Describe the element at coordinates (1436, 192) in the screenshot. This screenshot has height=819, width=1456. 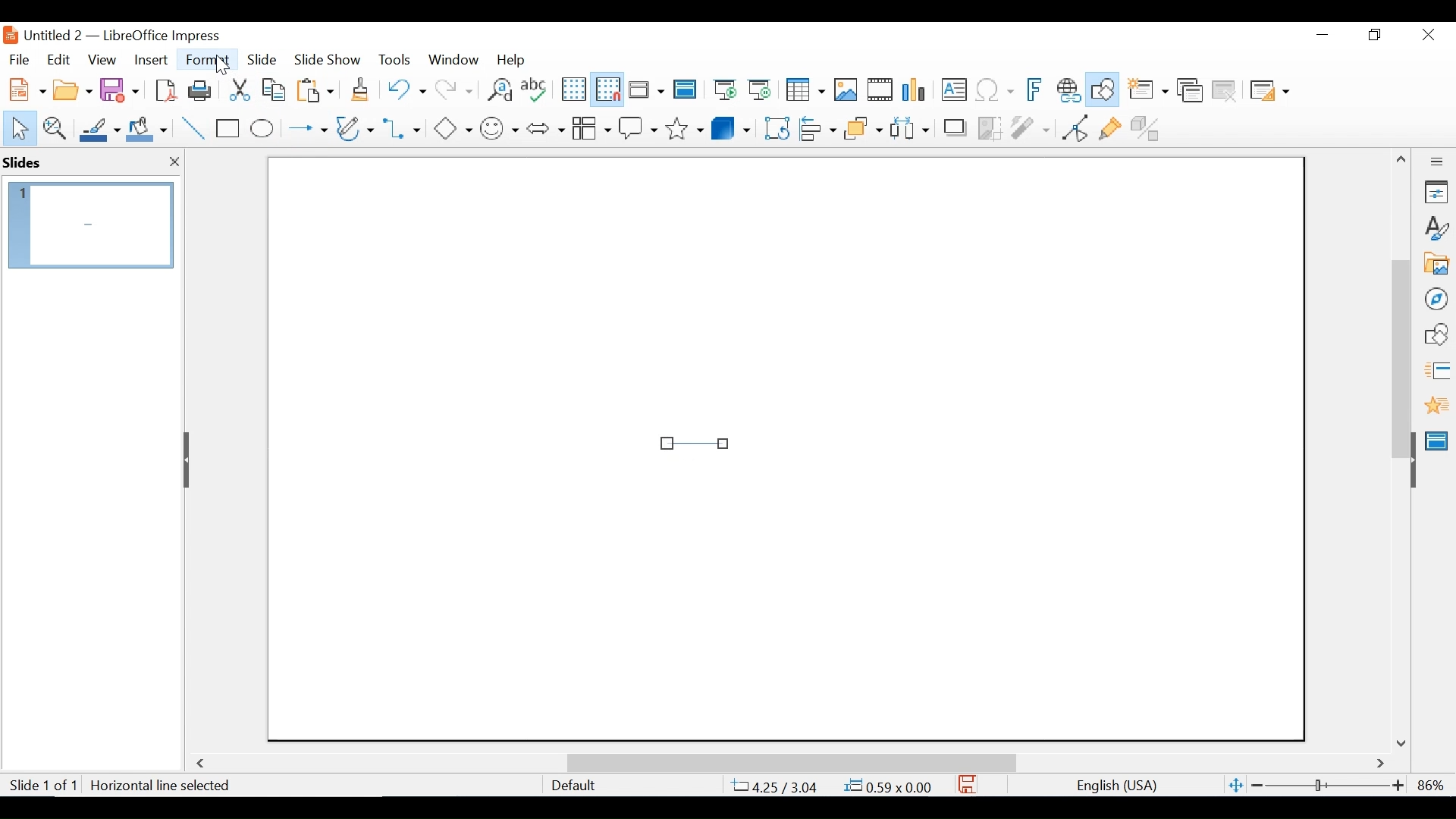
I see `Properties` at that location.